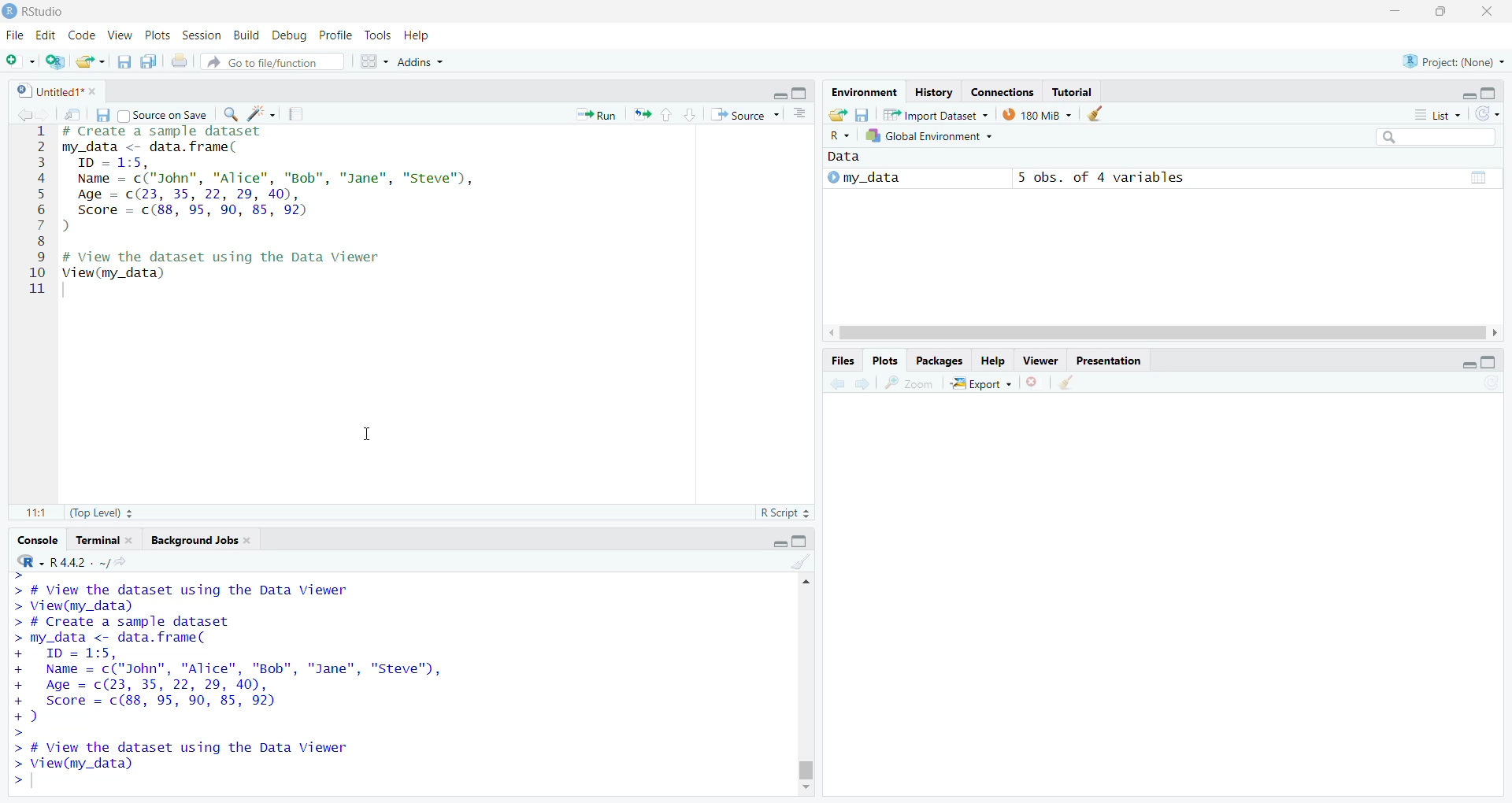 This screenshot has width=1512, height=803. I want to click on Plots, so click(157, 37).